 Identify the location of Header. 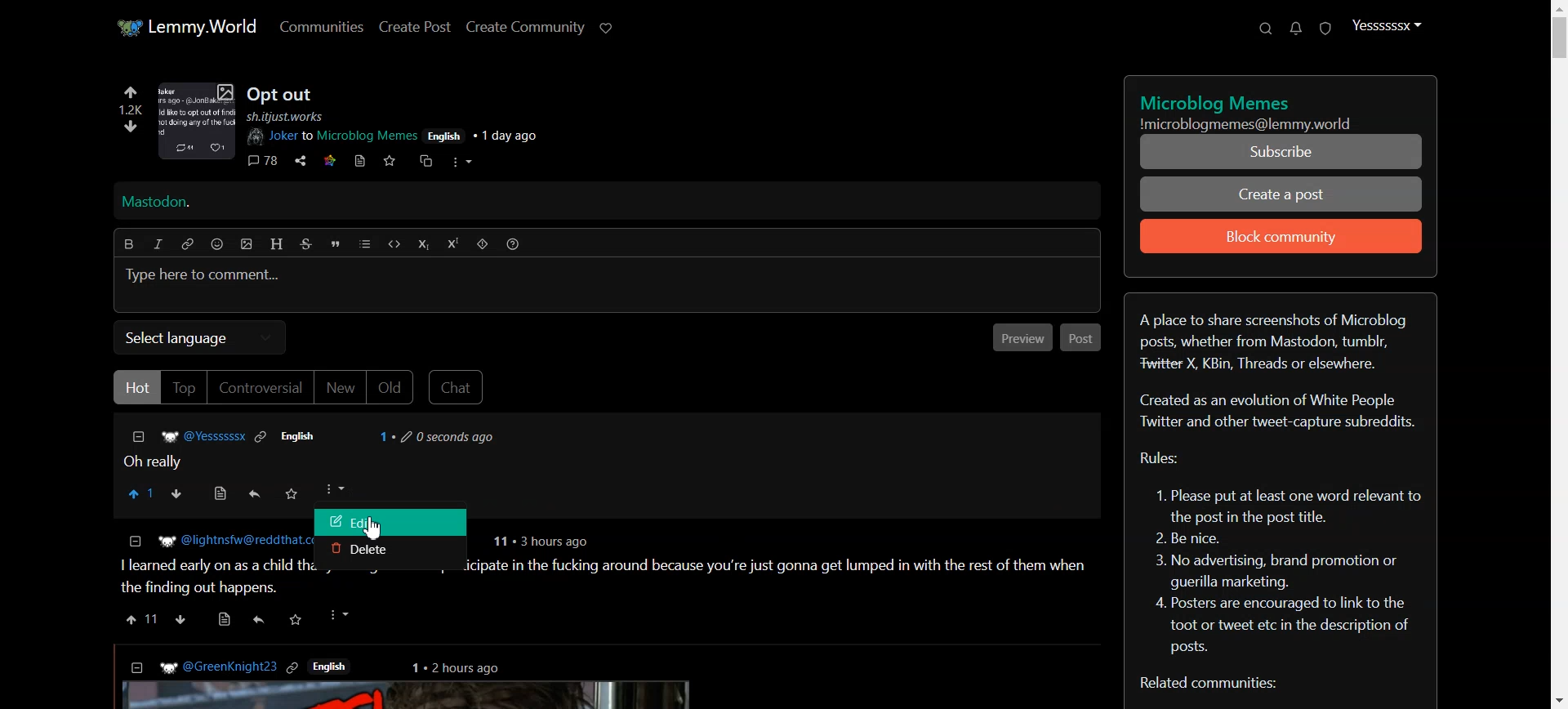
(277, 244).